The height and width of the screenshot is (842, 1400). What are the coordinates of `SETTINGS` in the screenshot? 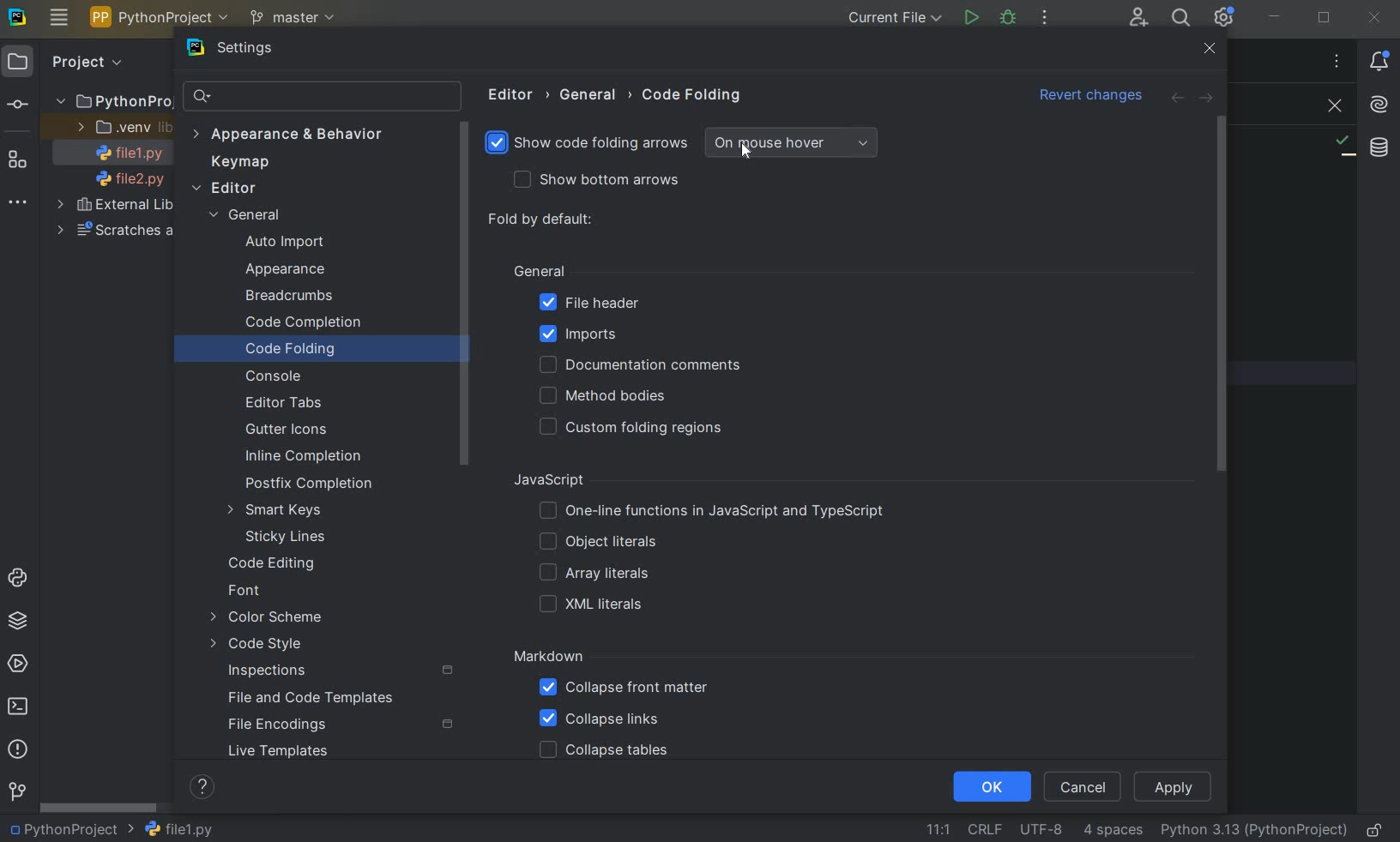 It's located at (253, 50).